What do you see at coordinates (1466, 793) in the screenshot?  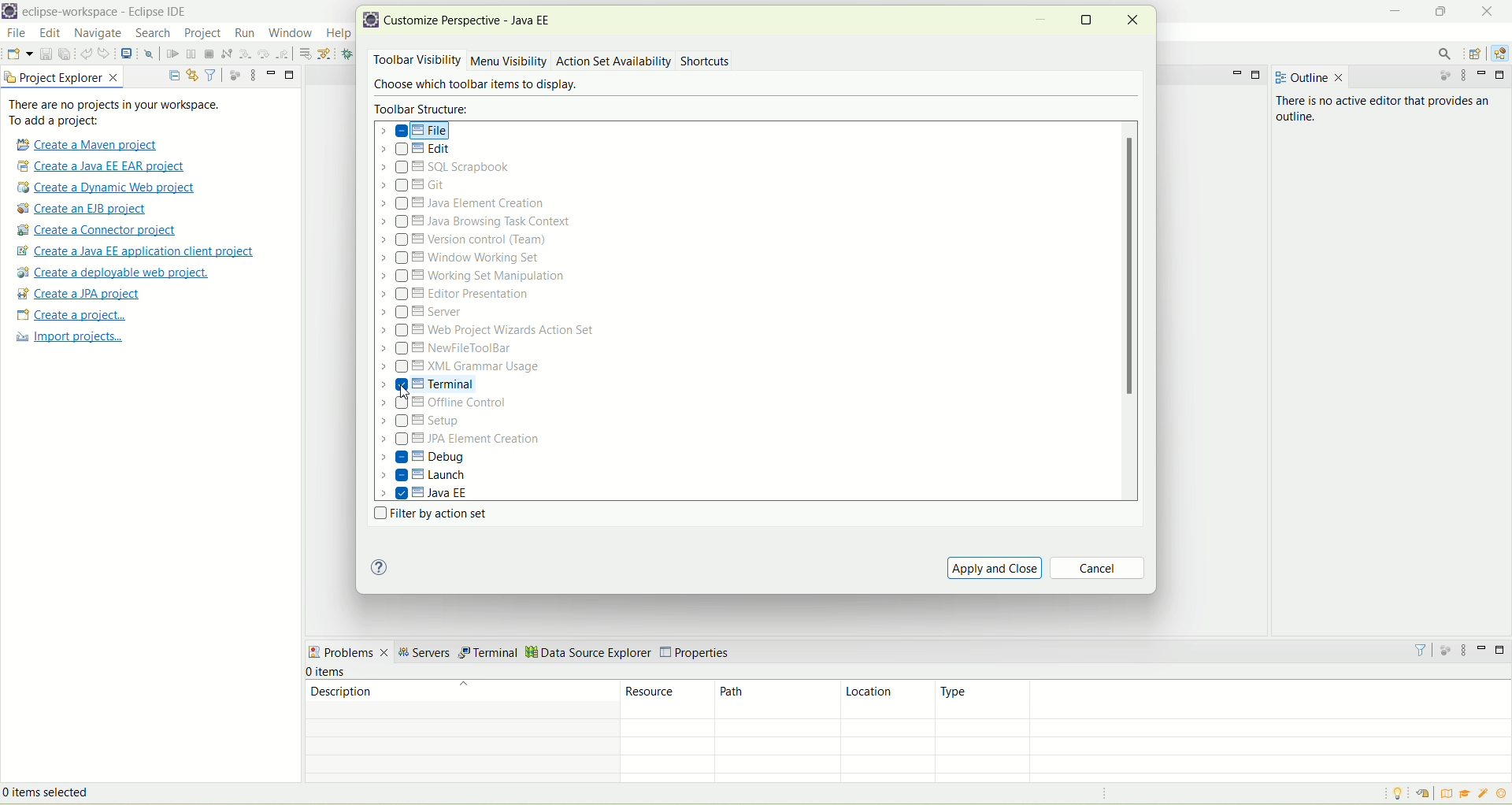 I see `tutorial` at bounding box center [1466, 793].